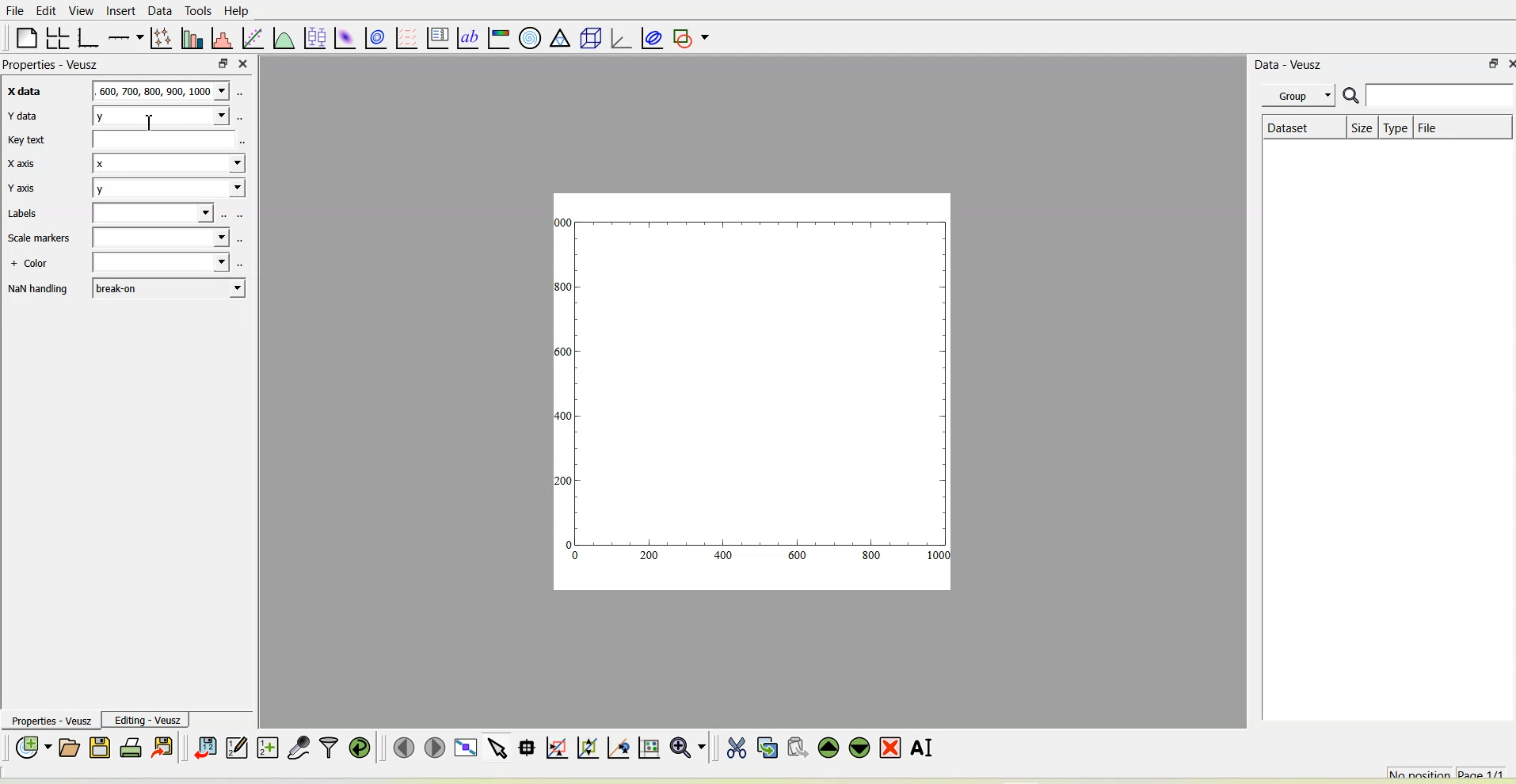 This screenshot has height=784, width=1516. What do you see at coordinates (799, 555) in the screenshot?
I see `600` at bounding box center [799, 555].